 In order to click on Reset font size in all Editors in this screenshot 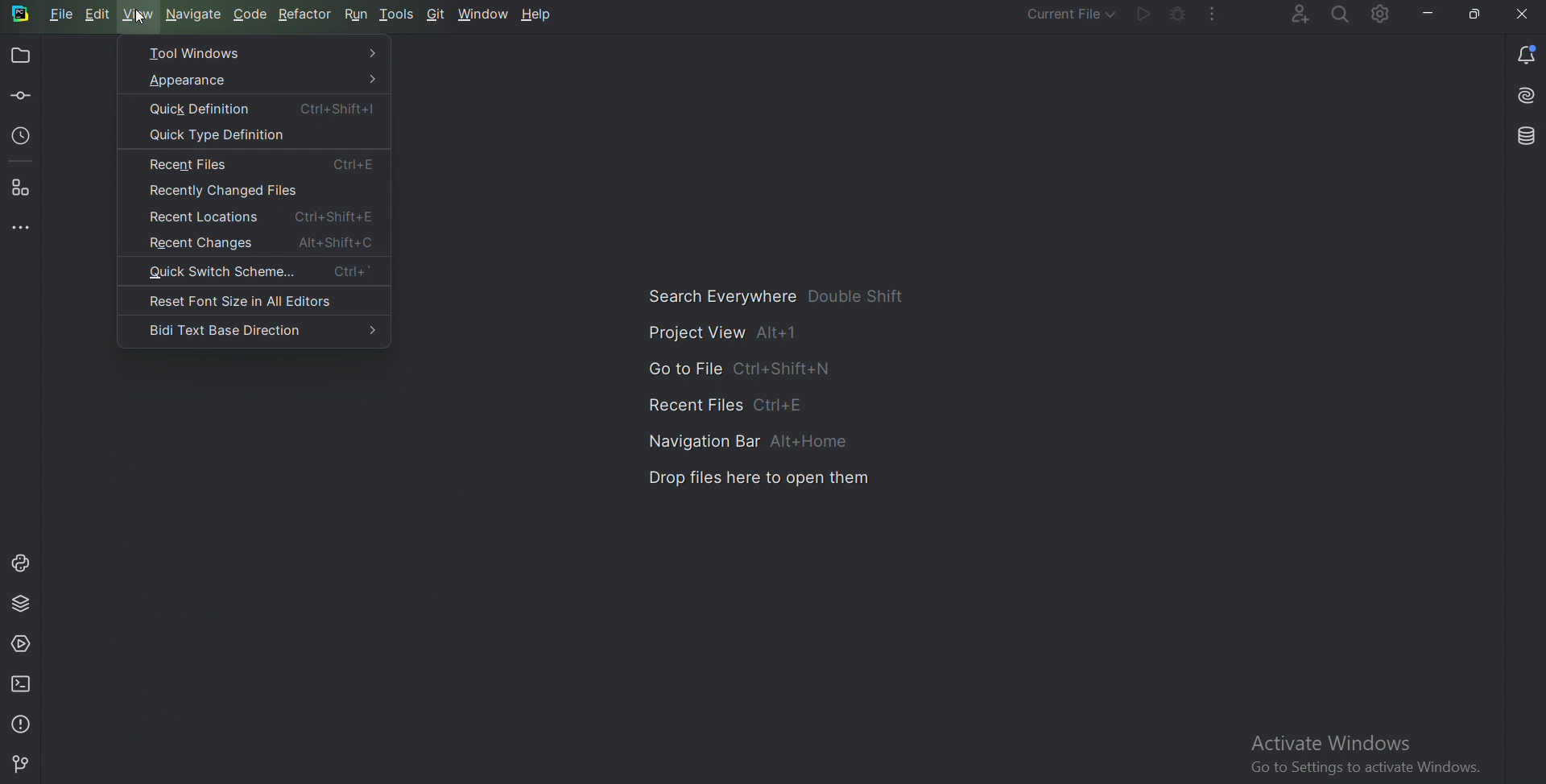, I will do `click(255, 299)`.